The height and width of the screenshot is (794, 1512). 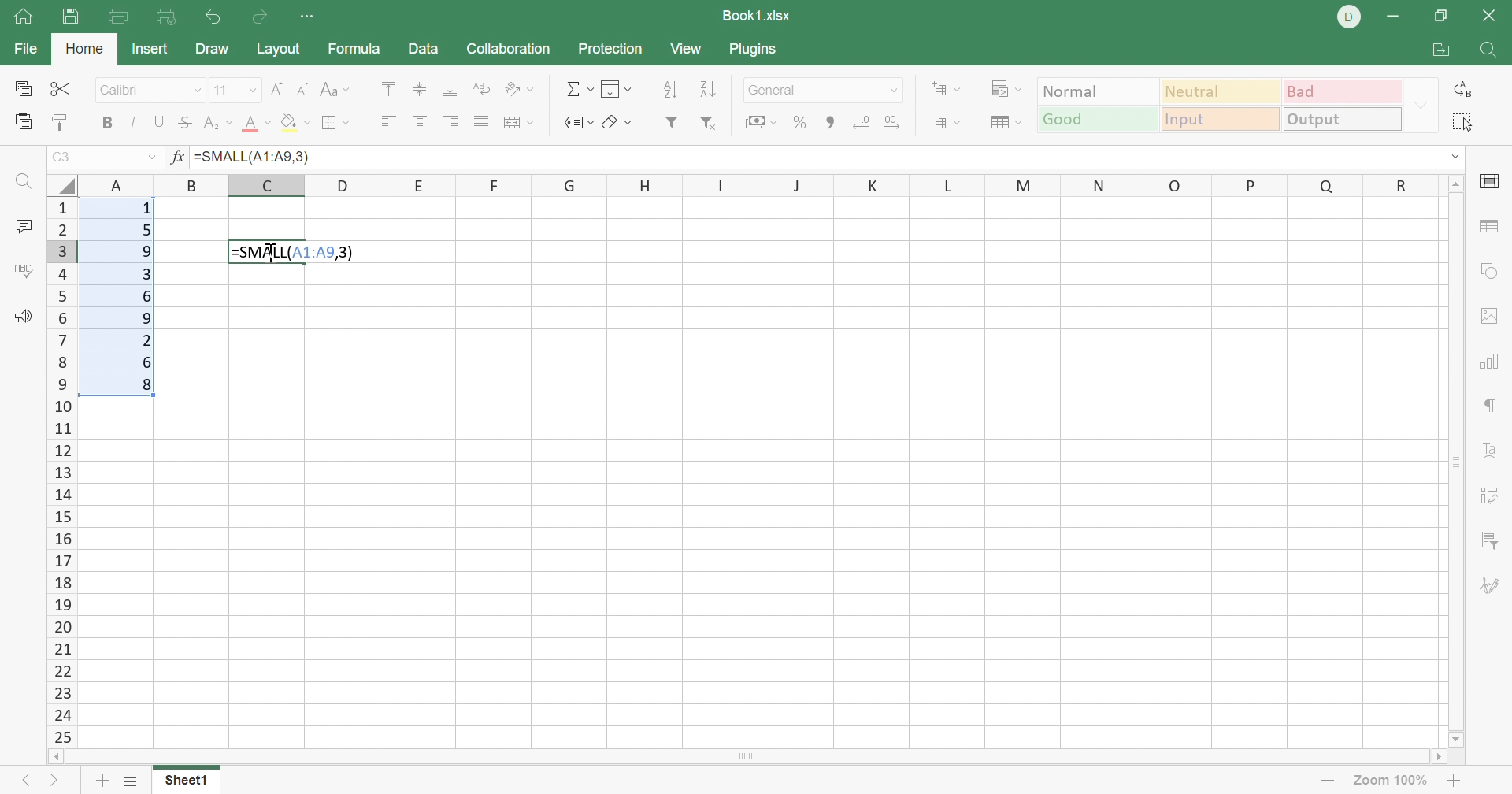 What do you see at coordinates (480, 90) in the screenshot?
I see `Wrap text` at bounding box center [480, 90].